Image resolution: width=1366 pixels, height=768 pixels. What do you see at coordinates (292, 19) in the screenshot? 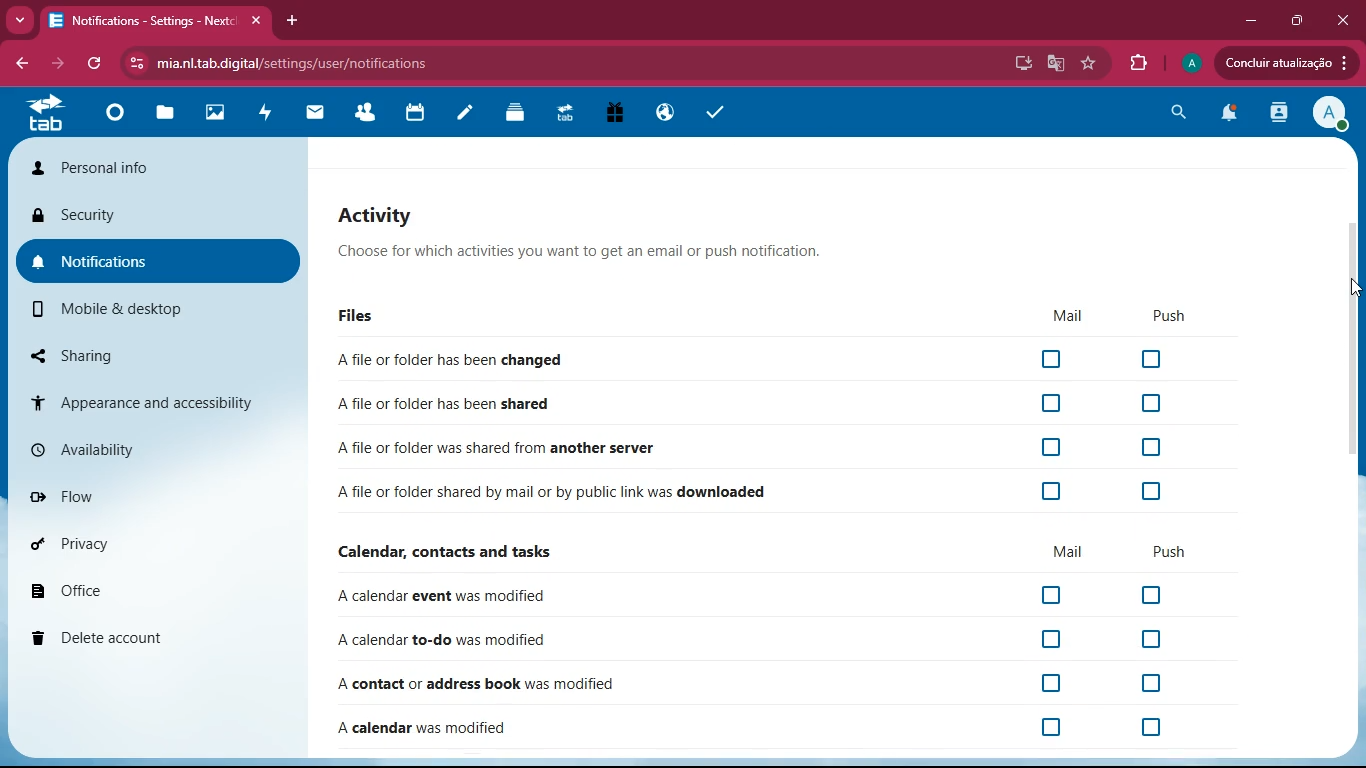
I see `add tab` at bounding box center [292, 19].